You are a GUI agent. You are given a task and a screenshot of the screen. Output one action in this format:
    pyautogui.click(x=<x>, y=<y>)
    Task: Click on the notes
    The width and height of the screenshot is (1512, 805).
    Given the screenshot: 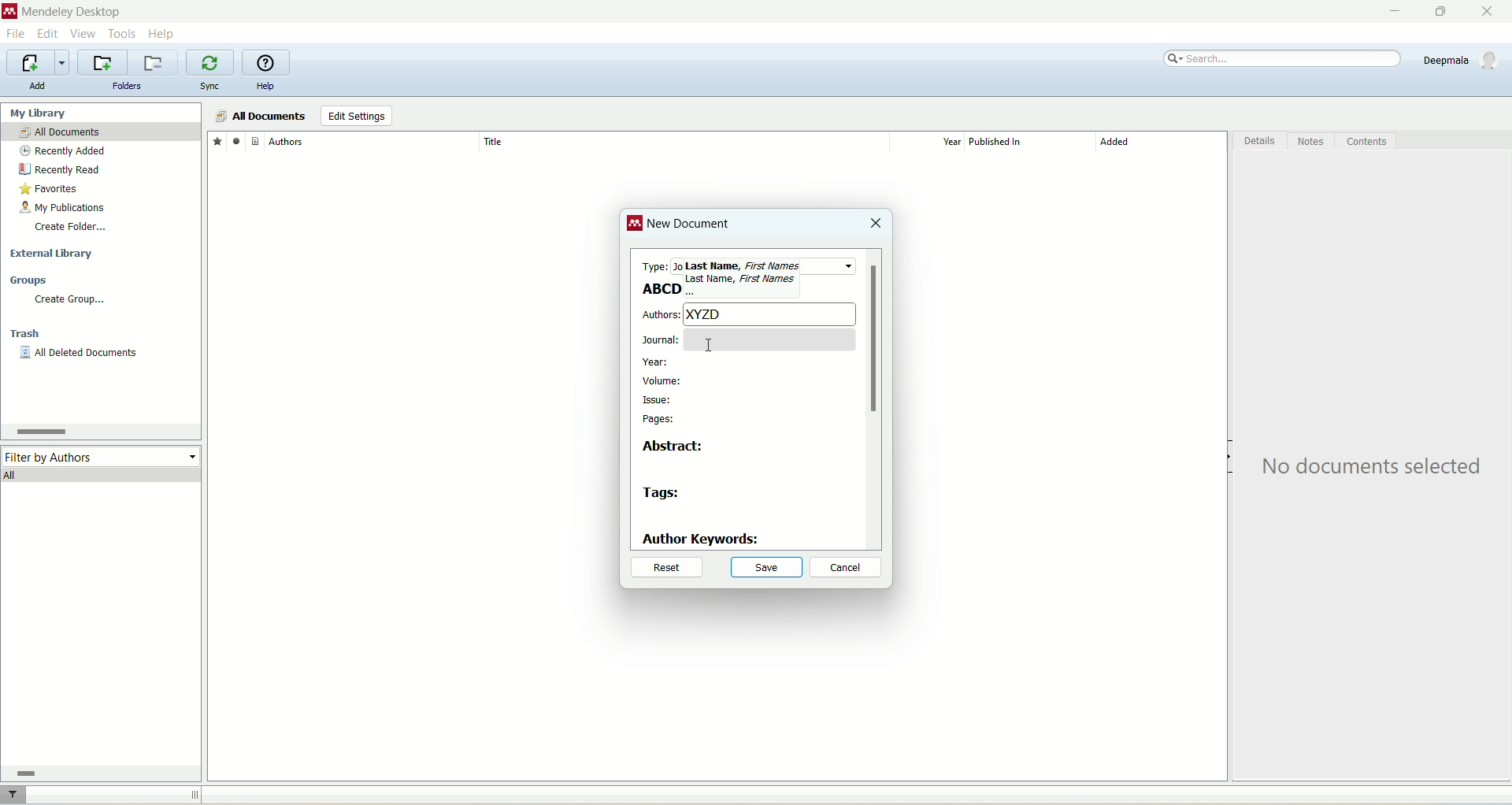 What is the action you would take?
    pyautogui.click(x=1313, y=142)
    